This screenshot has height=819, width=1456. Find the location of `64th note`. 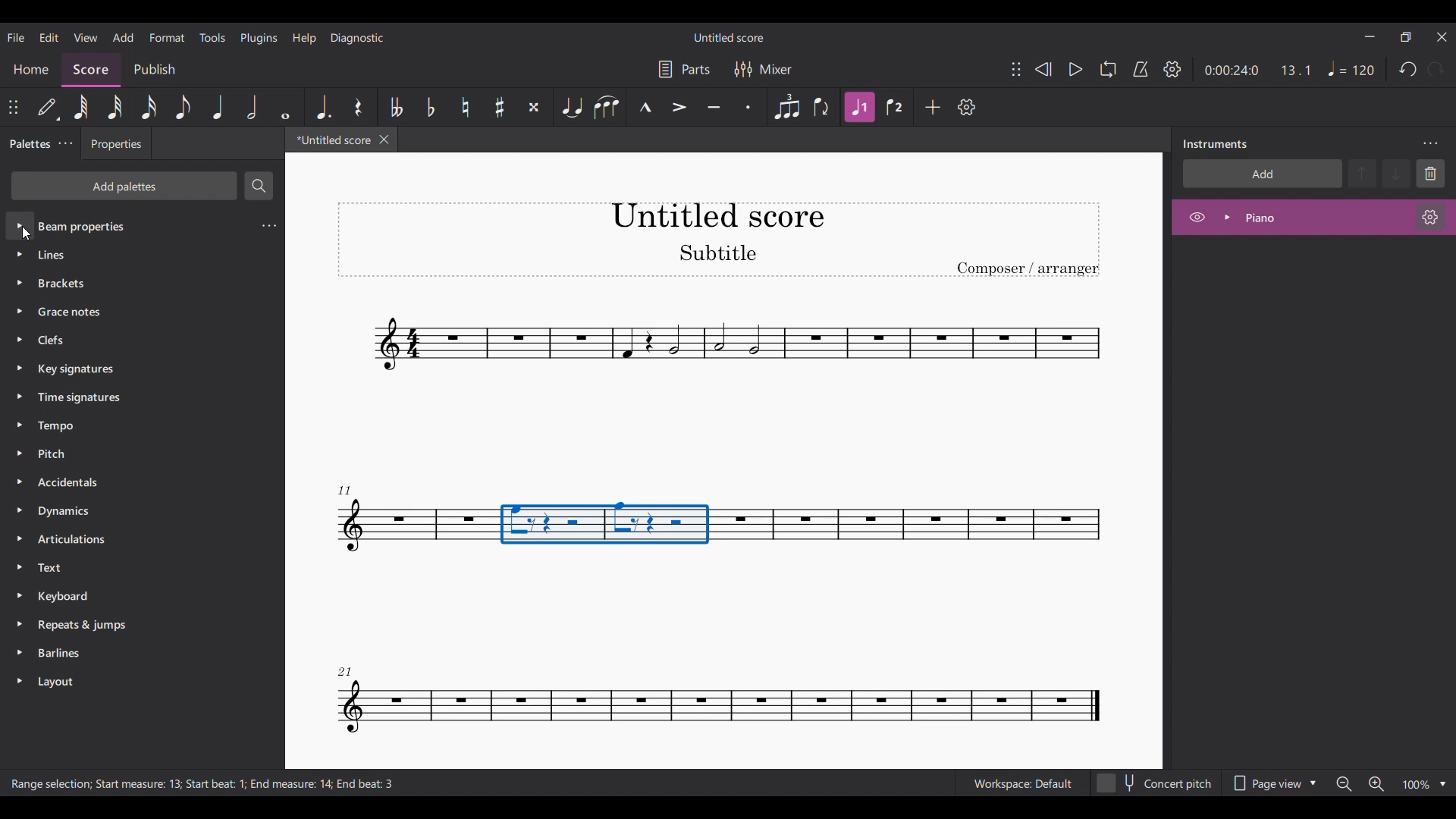

64th note is located at coordinates (81, 107).